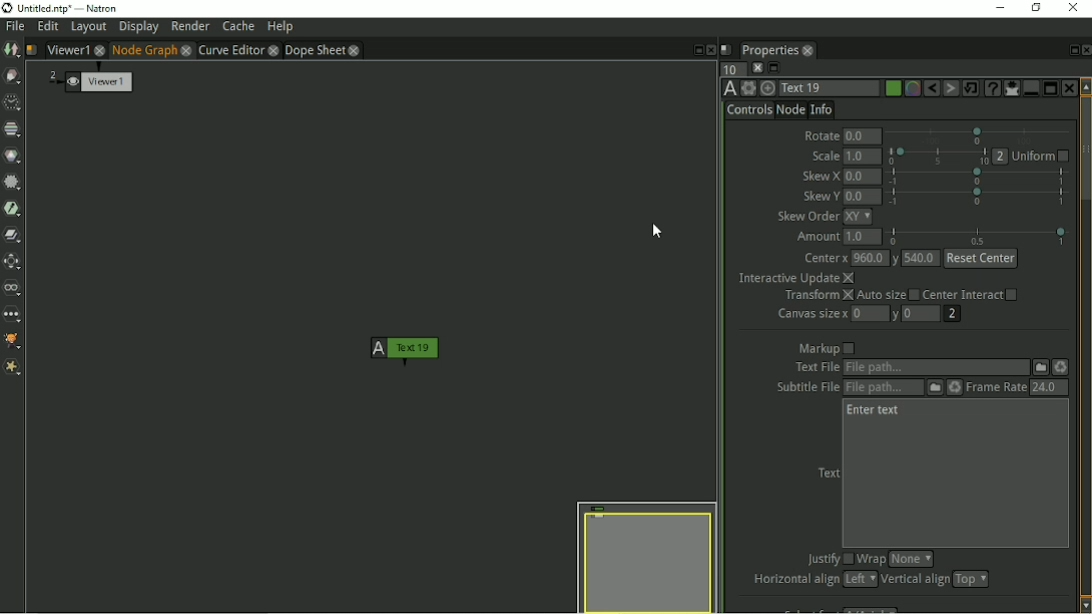  Describe the element at coordinates (864, 237) in the screenshot. I see `1.0` at that location.